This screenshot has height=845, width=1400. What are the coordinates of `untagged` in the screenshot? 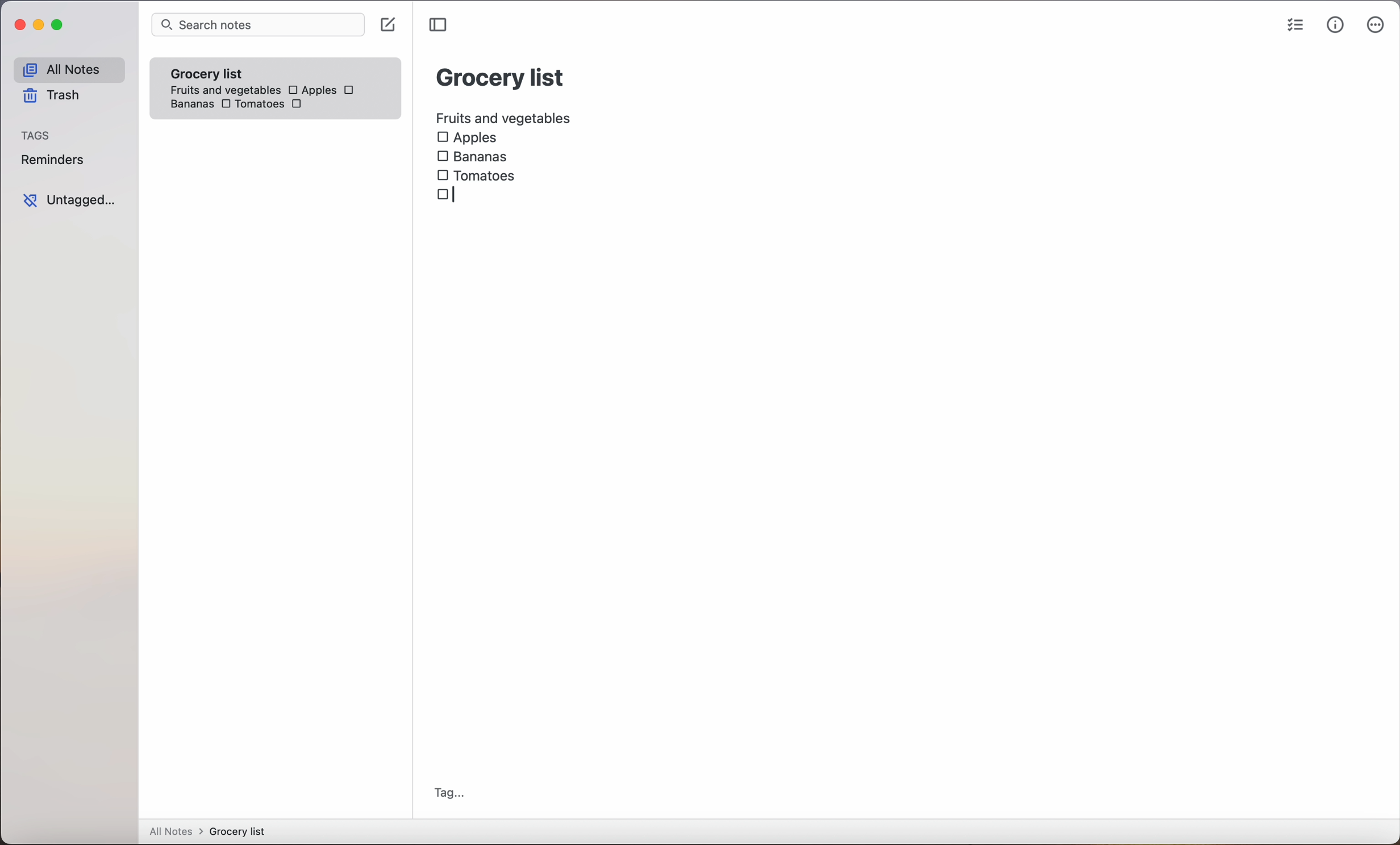 It's located at (69, 200).